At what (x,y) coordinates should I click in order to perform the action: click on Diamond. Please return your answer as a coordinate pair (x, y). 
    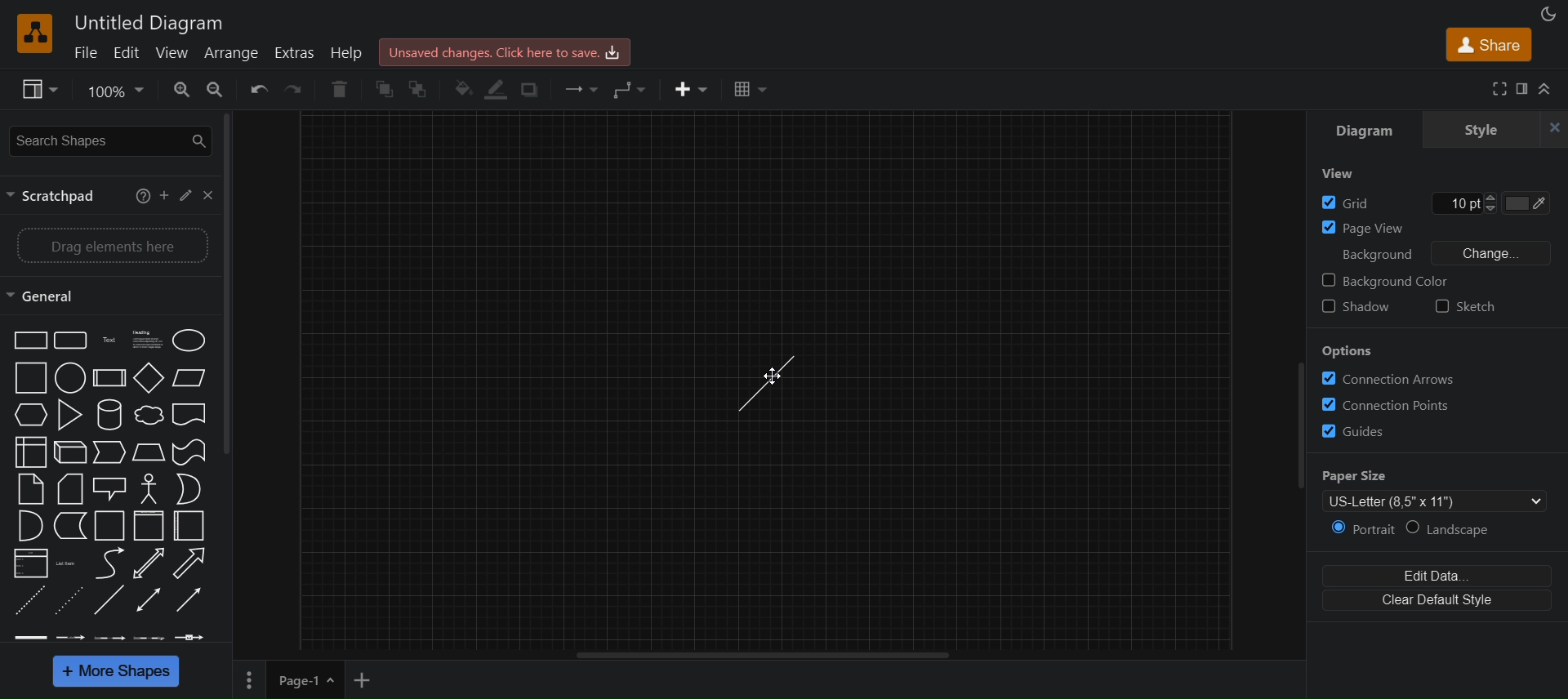
    Looking at the image, I should click on (148, 377).